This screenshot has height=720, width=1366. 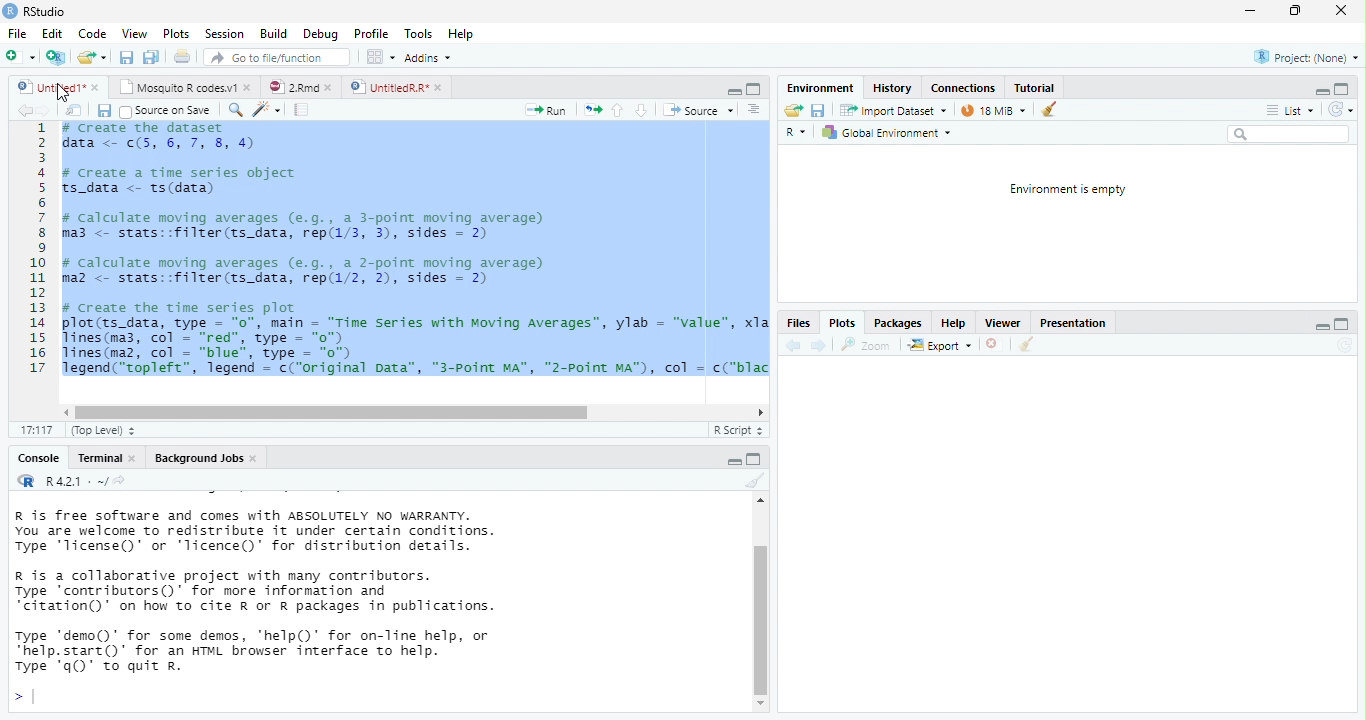 I want to click on save all open document, so click(x=126, y=57).